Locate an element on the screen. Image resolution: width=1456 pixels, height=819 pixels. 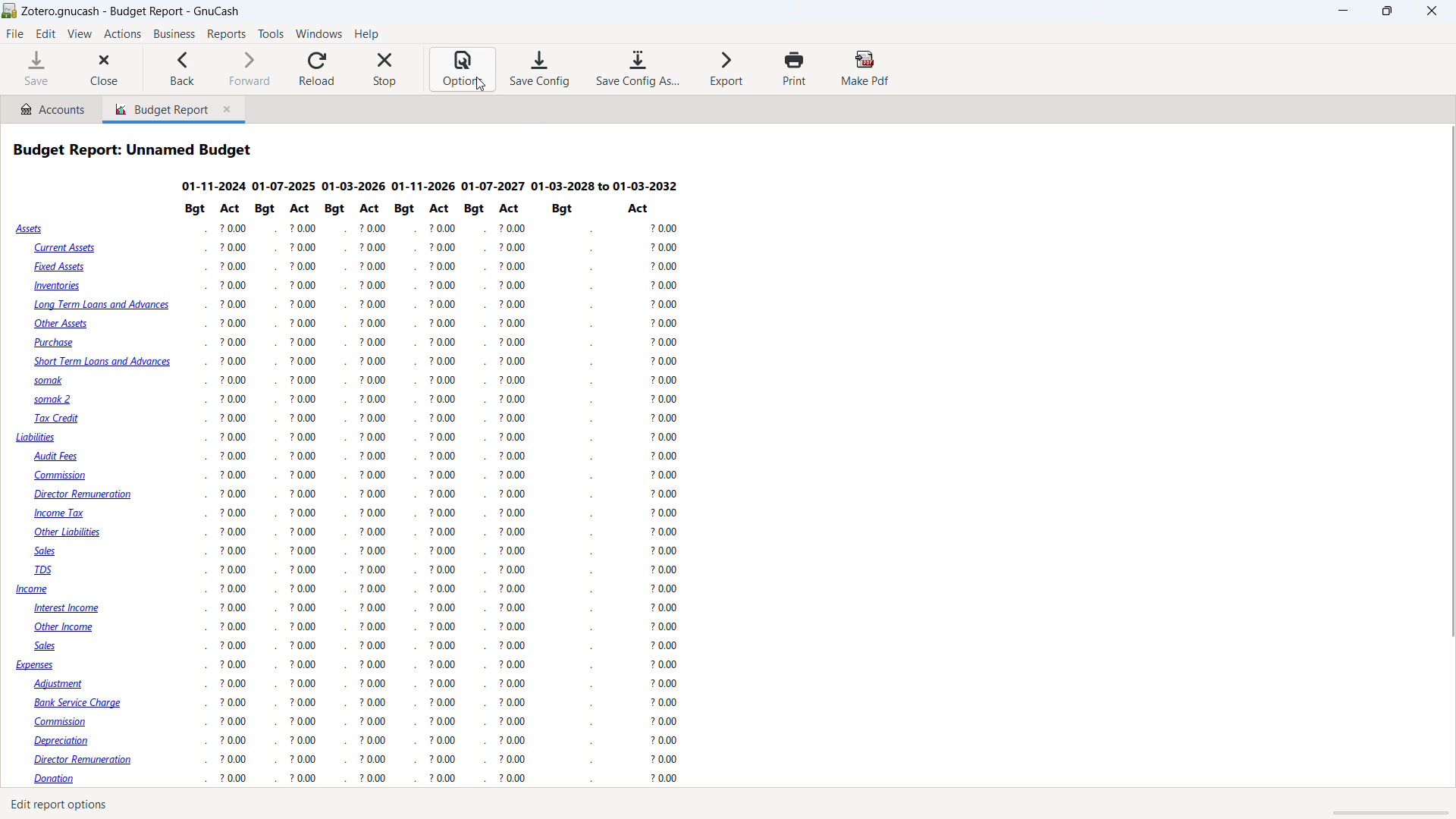
stop is located at coordinates (385, 69).